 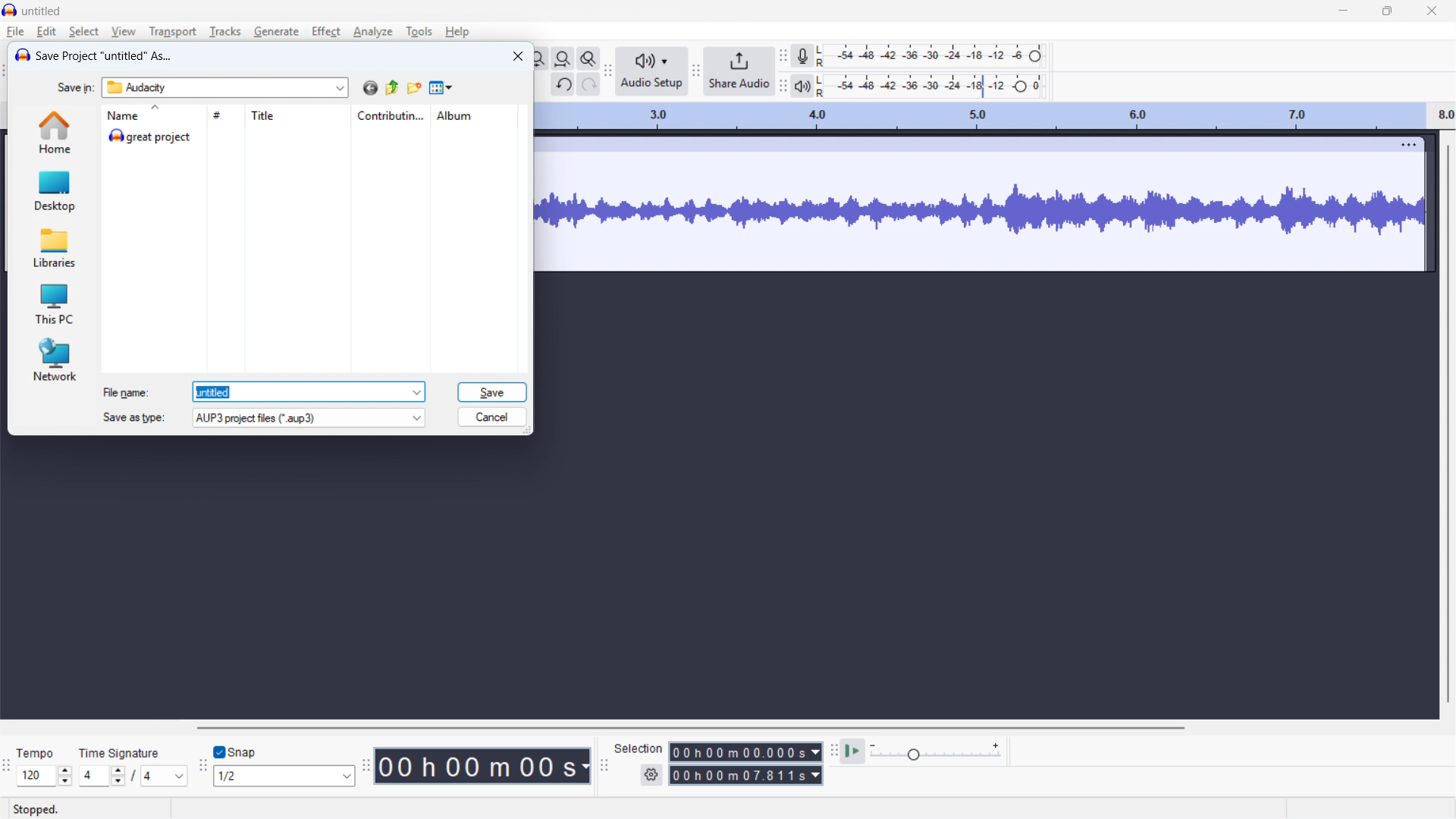 What do you see at coordinates (55, 249) in the screenshot?
I see `libraries` at bounding box center [55, 249].